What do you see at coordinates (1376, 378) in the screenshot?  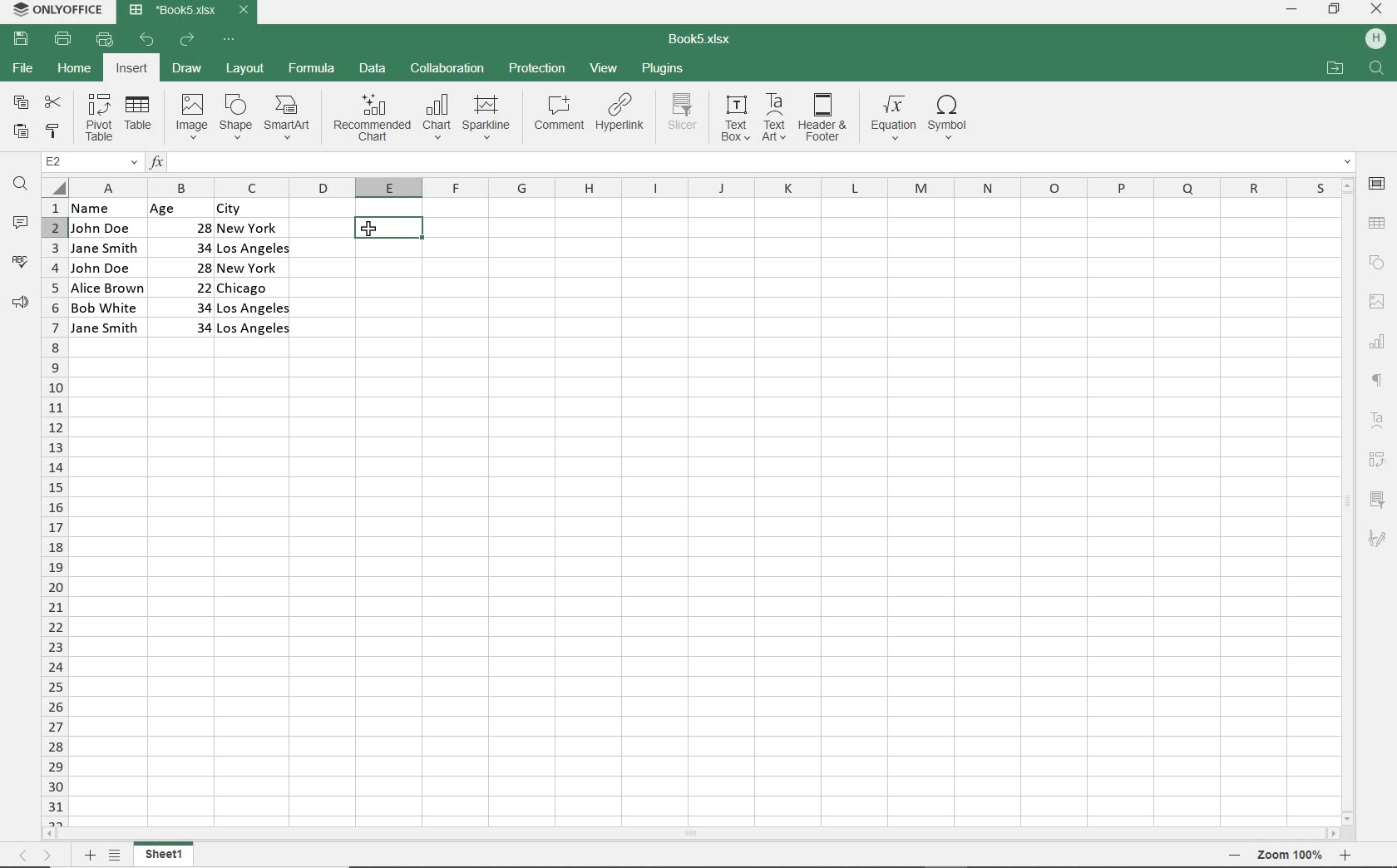 I see `PARAGRAPH SETTINGS` at bounding box center [1376, 378].